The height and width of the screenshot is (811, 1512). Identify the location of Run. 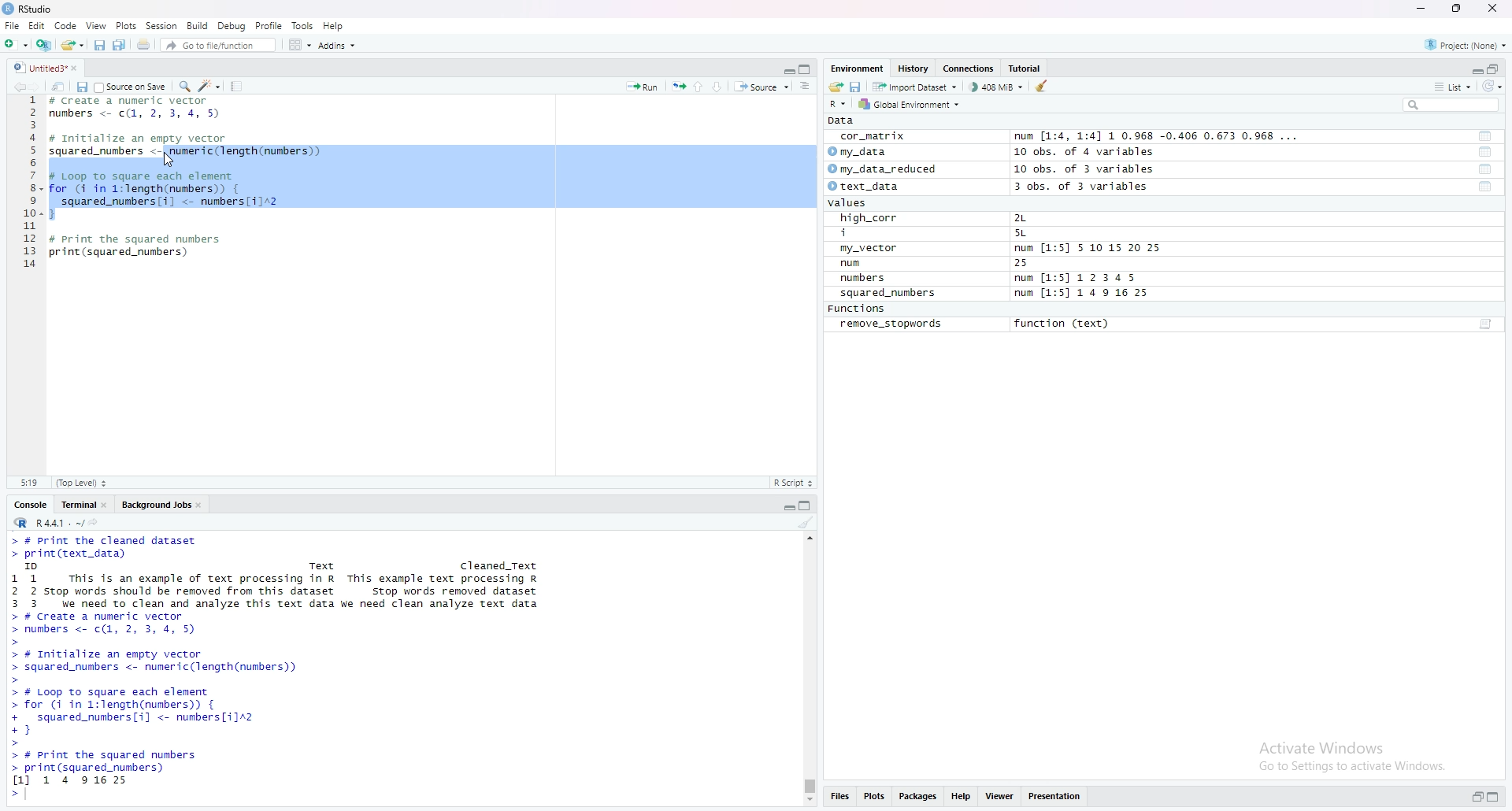
(643, 85).